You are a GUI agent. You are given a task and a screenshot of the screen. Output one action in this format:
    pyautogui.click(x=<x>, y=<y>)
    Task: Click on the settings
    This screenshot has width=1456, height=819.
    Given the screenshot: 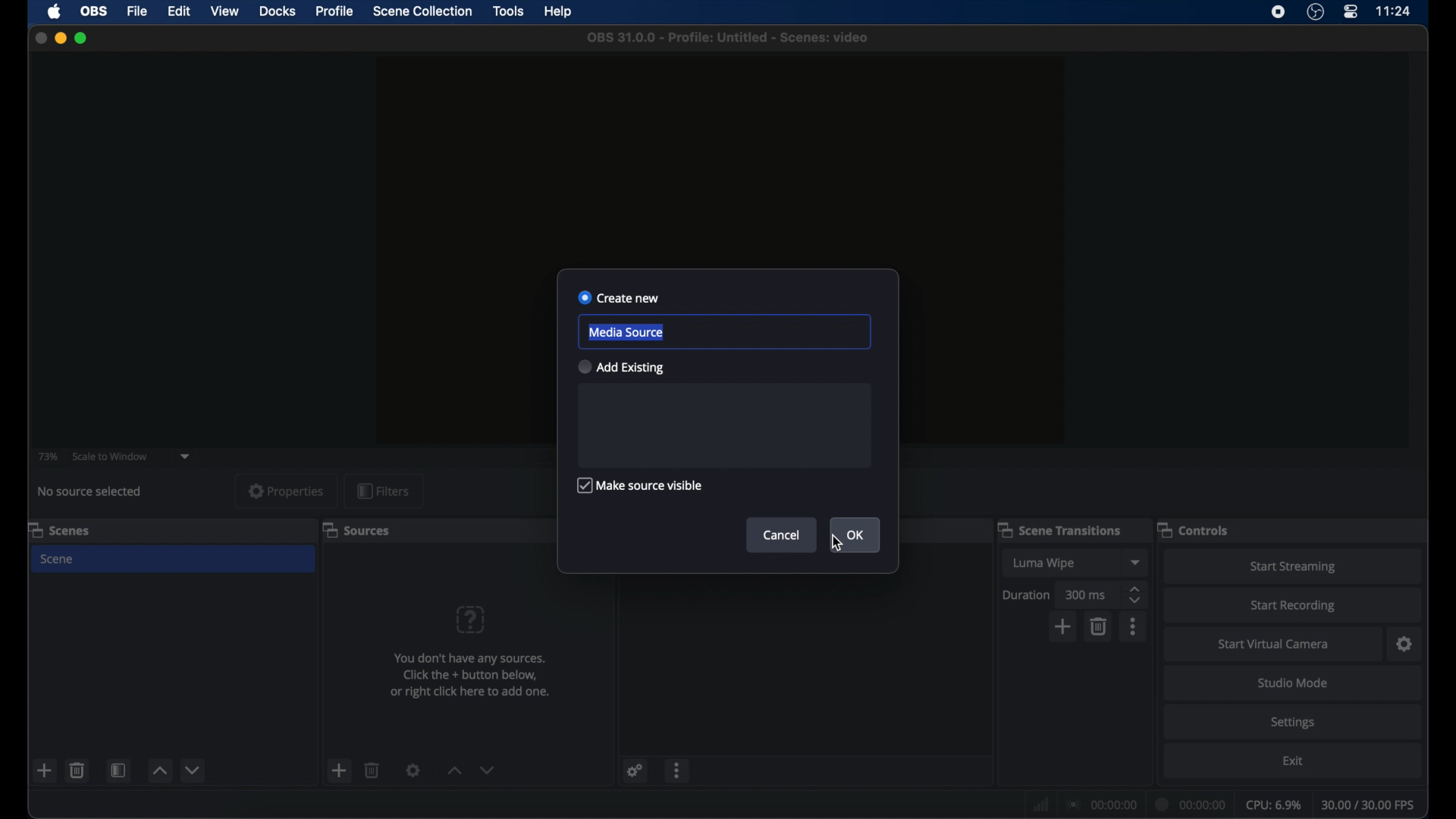 What is the action you would take?
    pyautogui.click(x=1405, y=645)
    